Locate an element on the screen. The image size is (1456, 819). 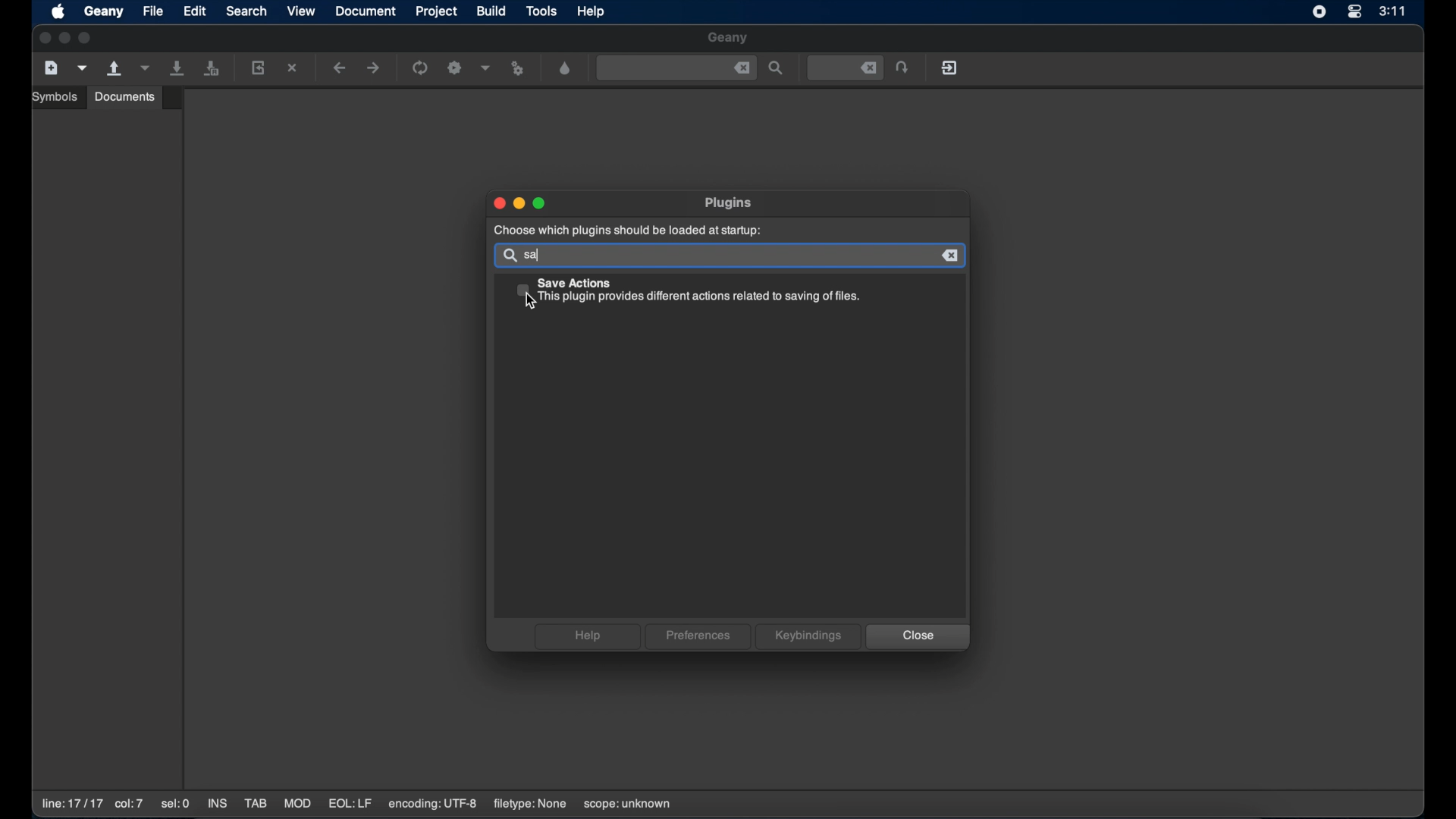
close is located at coordinates (497, 203).